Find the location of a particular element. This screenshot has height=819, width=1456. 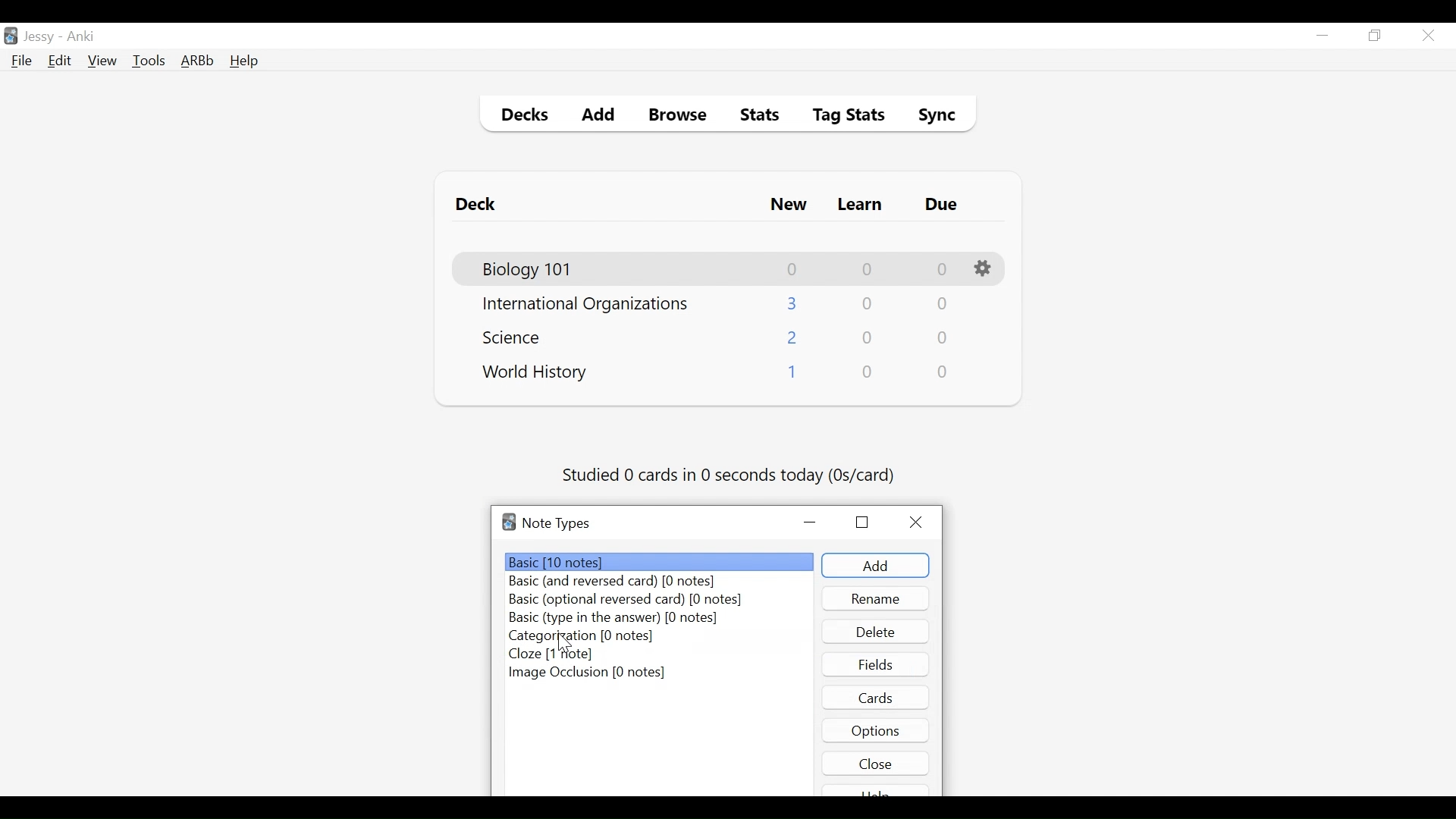

Studied number of cards in second today (os/card) is located at coordinates (730, 476).